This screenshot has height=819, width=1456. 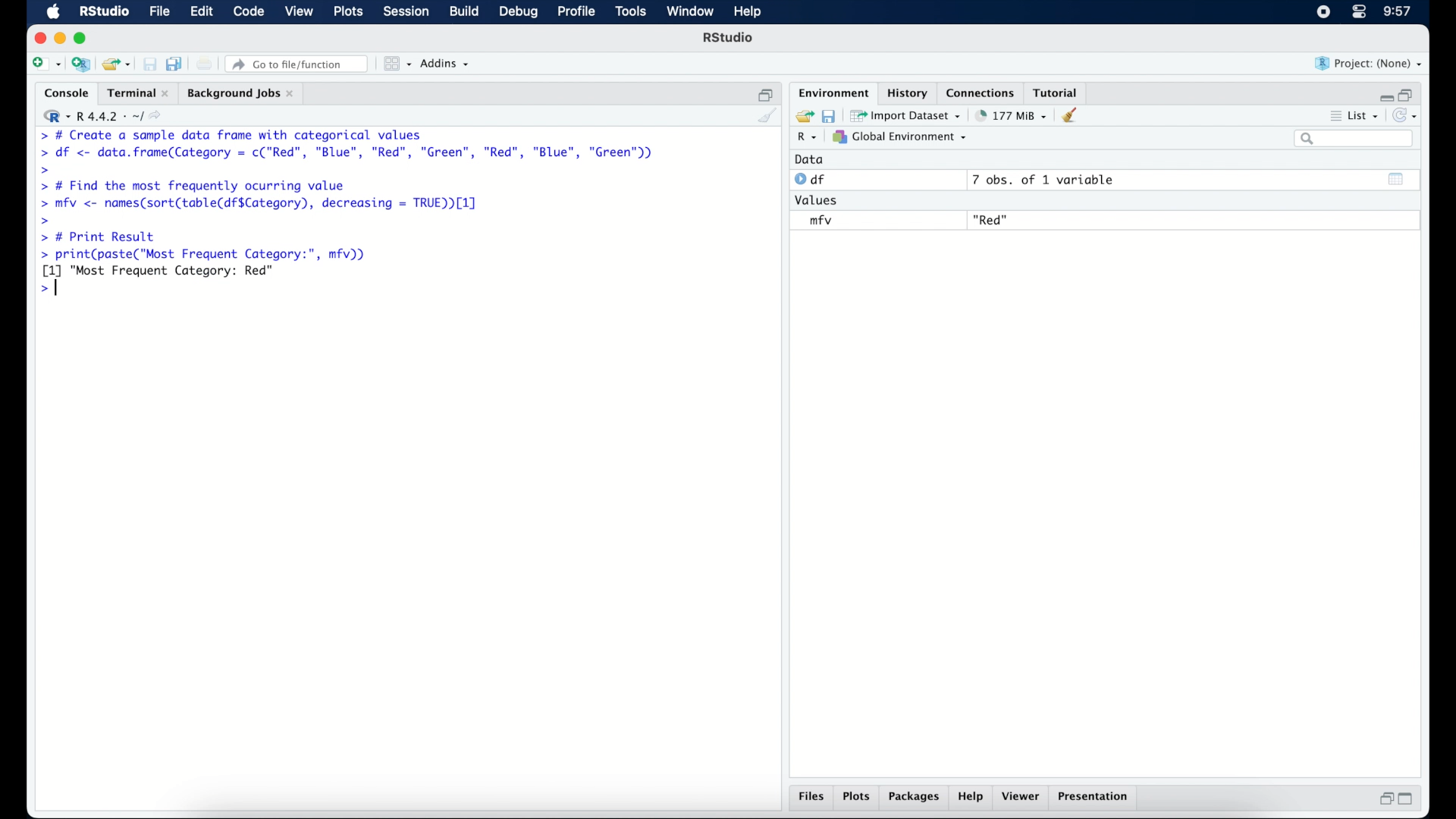 What do you see at coordinates (117, 64) in the screenshot?
I see `open an existing project` at bounding box center [117, 64].